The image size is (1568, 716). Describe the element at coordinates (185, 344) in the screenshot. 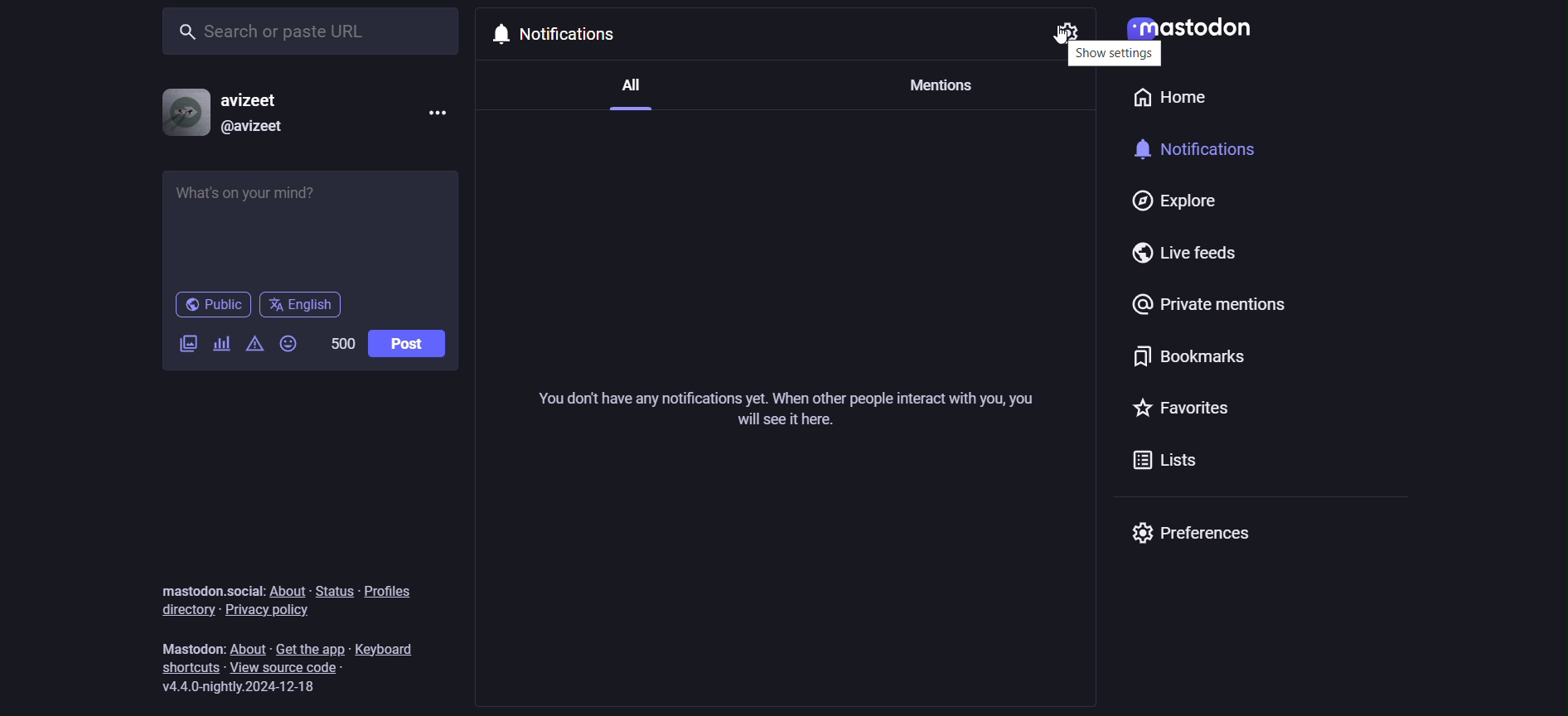

I see `add images` at that location.